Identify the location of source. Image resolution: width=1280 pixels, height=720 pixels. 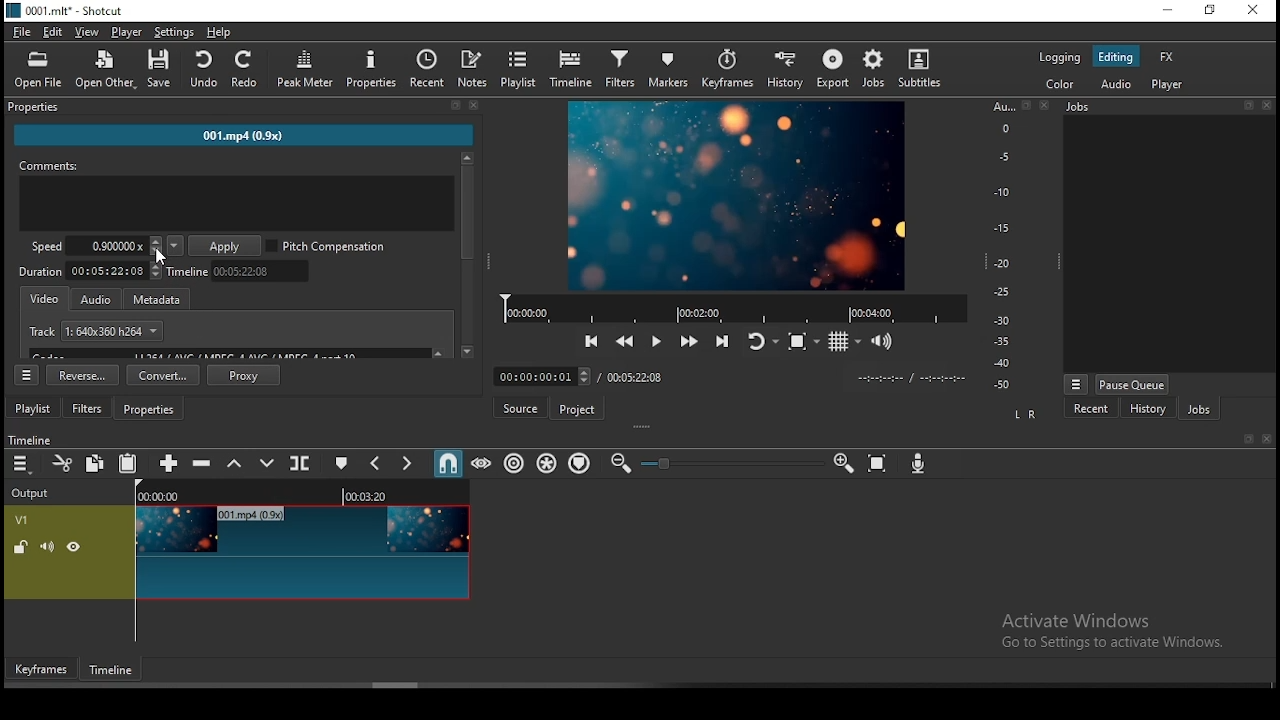
(523, 407).